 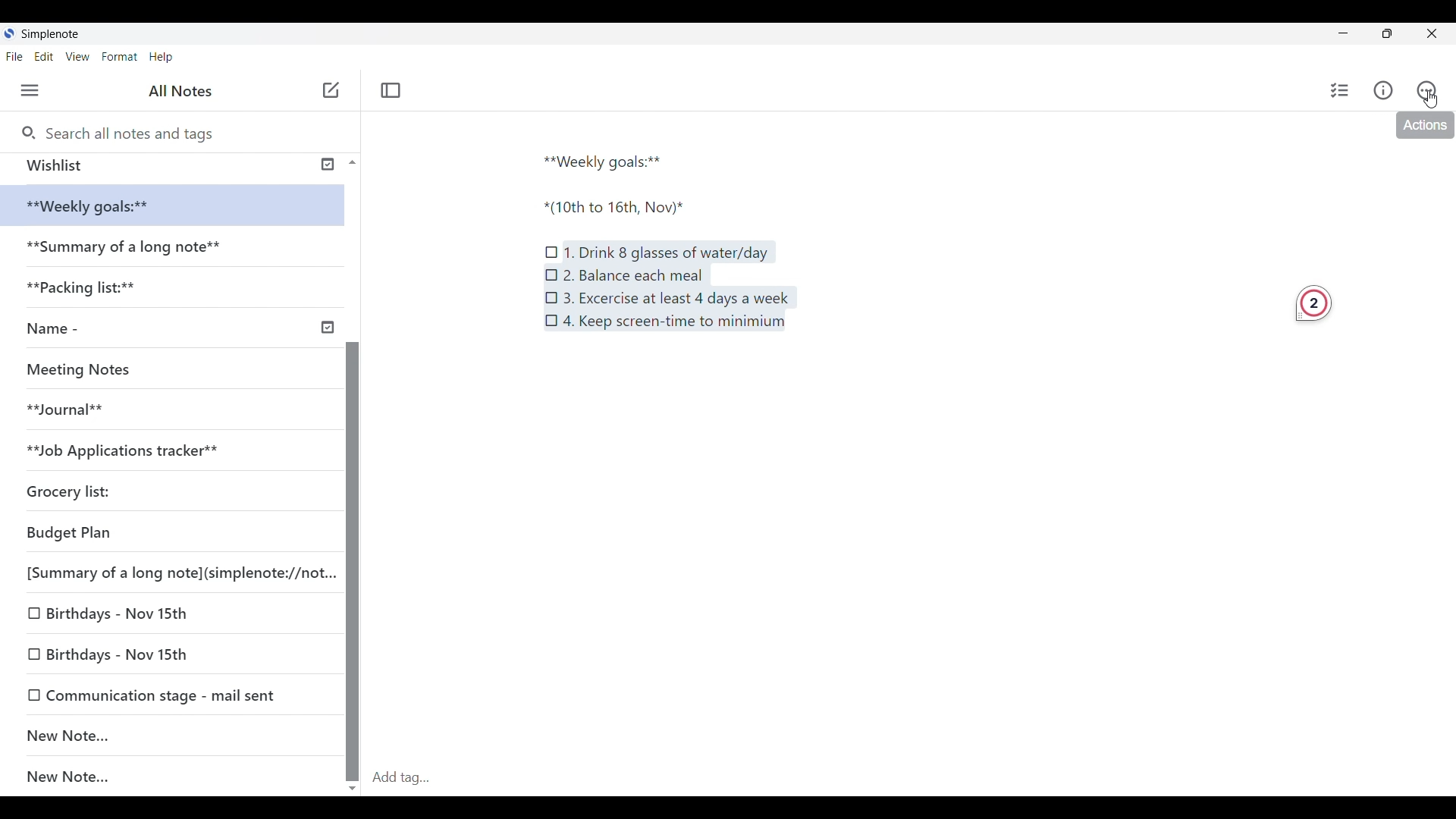 I want to click on restore, so click(x=1400, y=36).